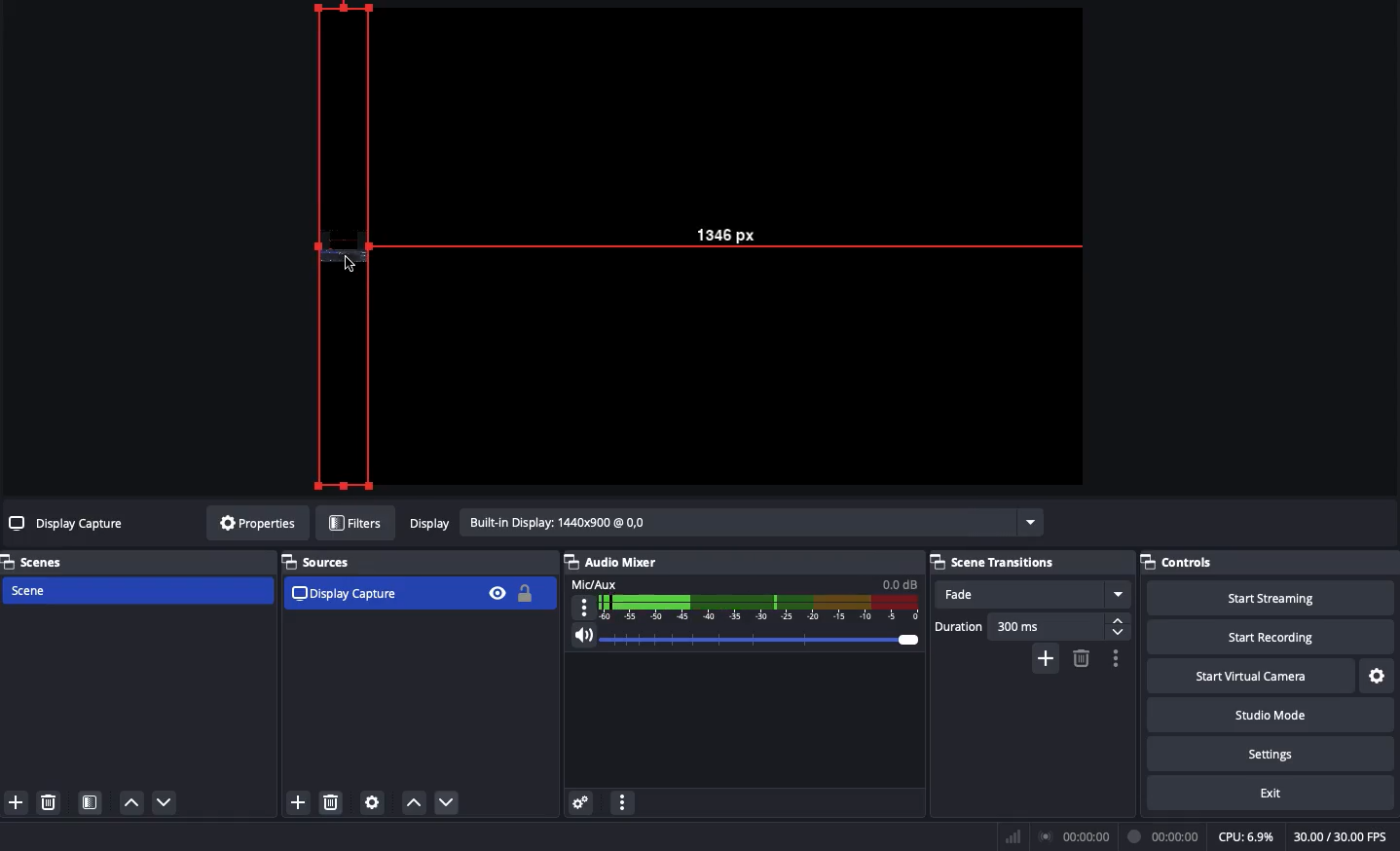 Image resolution: width=1400 pixels, height=851 pixels. Describe the element at coordinates (332, 803) in the screenshot. I see `Delete` at that location.